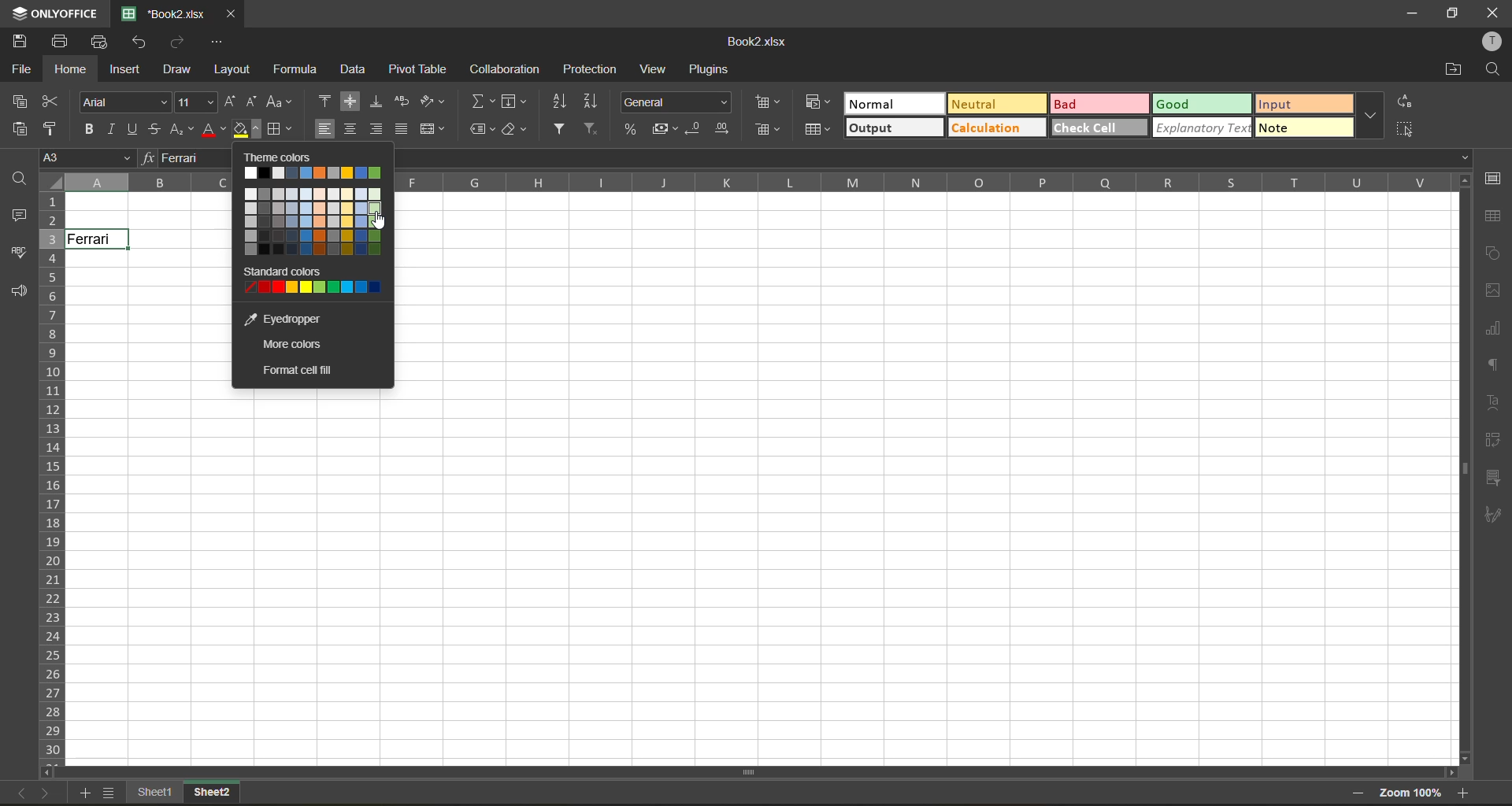  I want to click on table, so click(1496, 218).